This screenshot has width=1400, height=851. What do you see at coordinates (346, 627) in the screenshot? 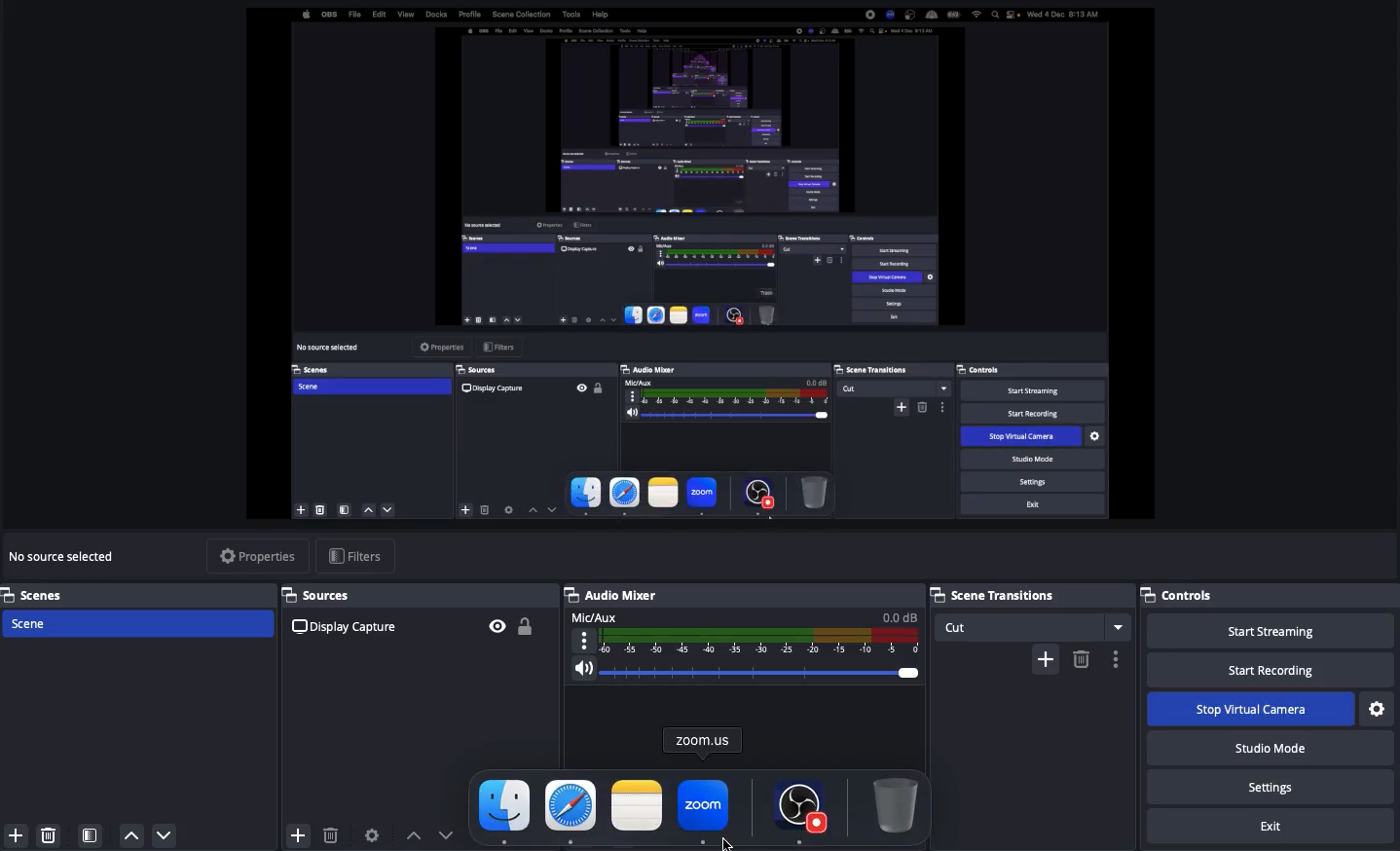
I see `Display capture` at bounding box center [346, 627].